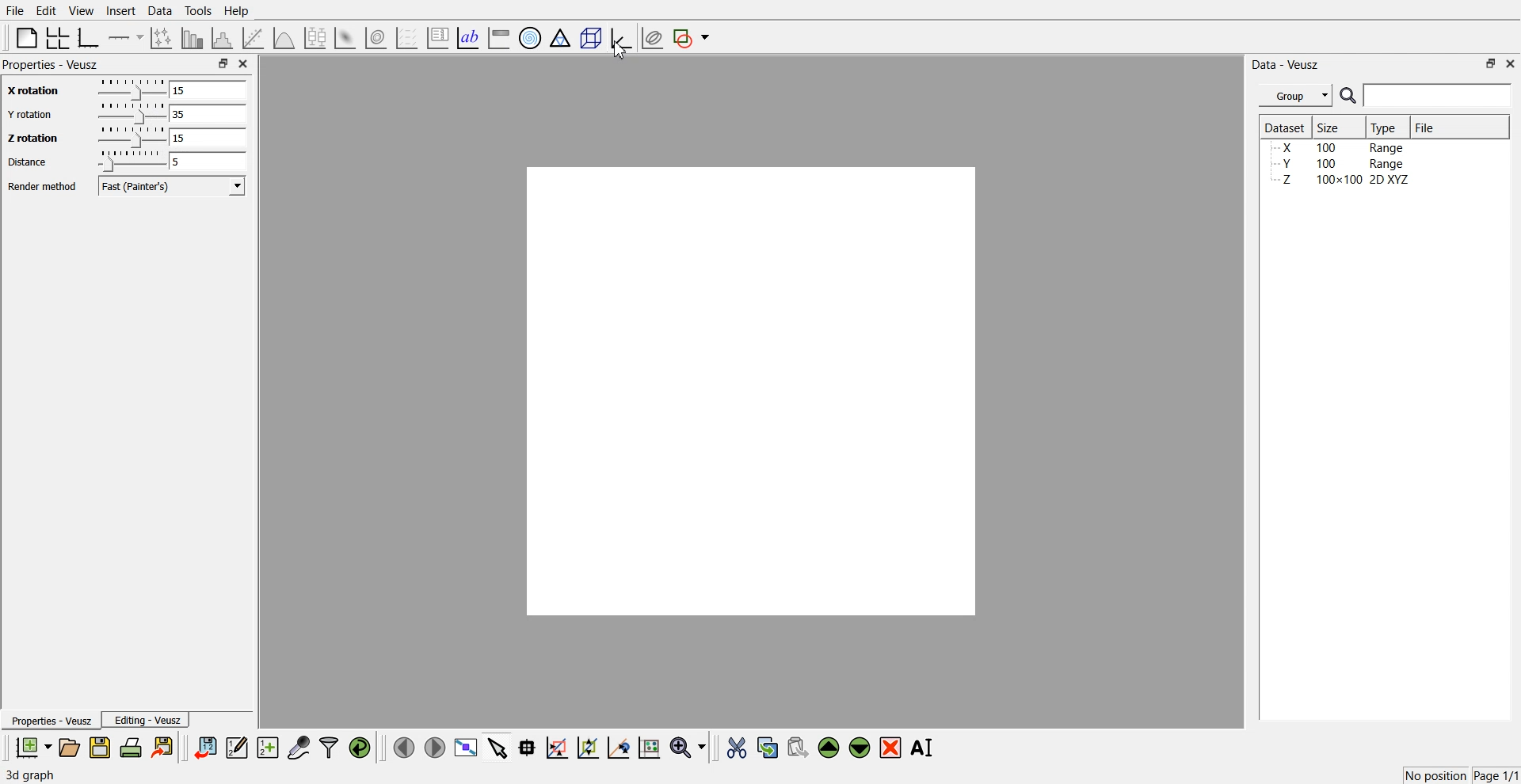 This screenshot has width=1521, height=784. Describe the element at coordinates (588, 747) in the screenshot. I see `Zoom out of the graph axes` at that location.